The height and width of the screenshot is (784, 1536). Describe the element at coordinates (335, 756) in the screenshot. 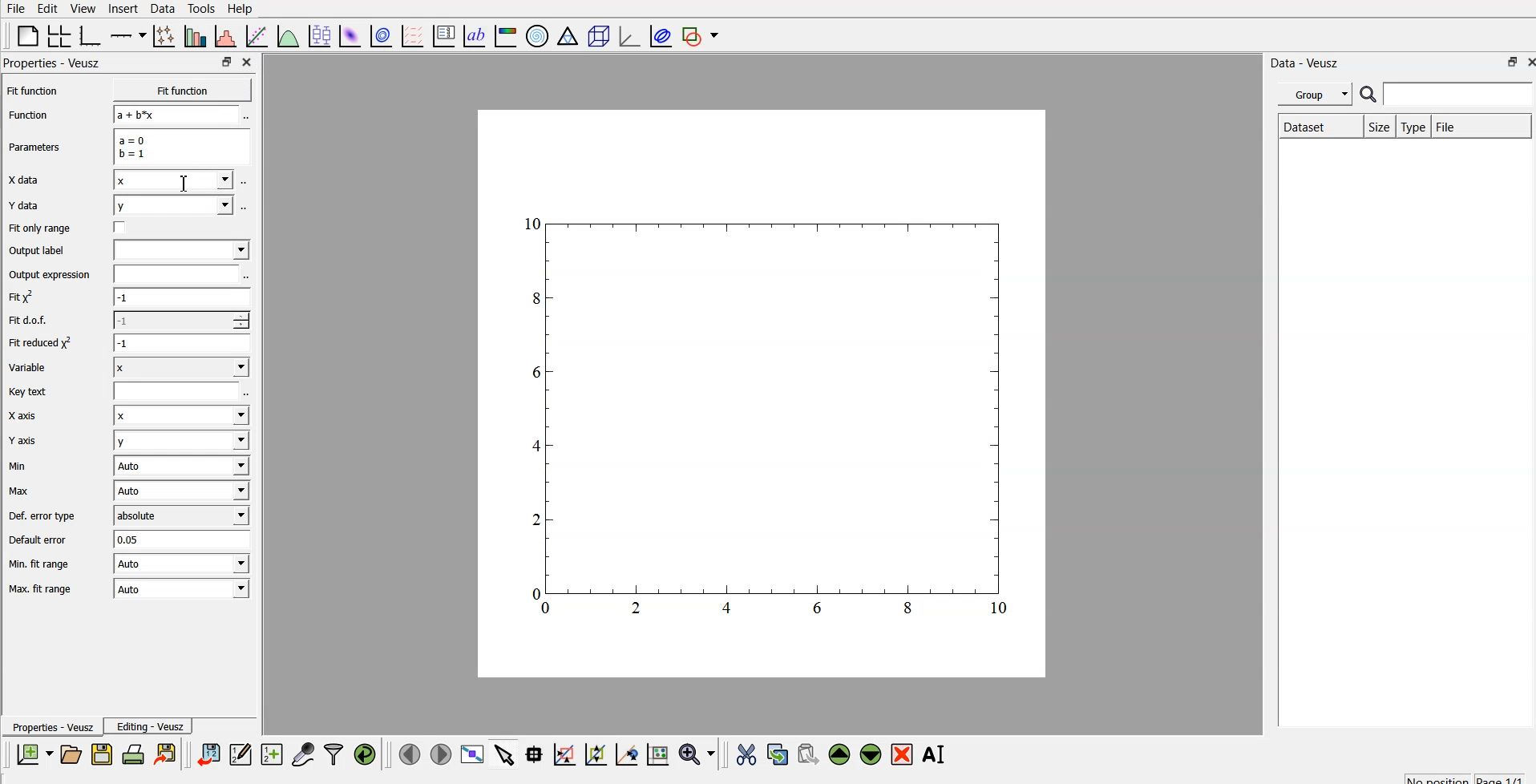

I see `filter data` at that location.